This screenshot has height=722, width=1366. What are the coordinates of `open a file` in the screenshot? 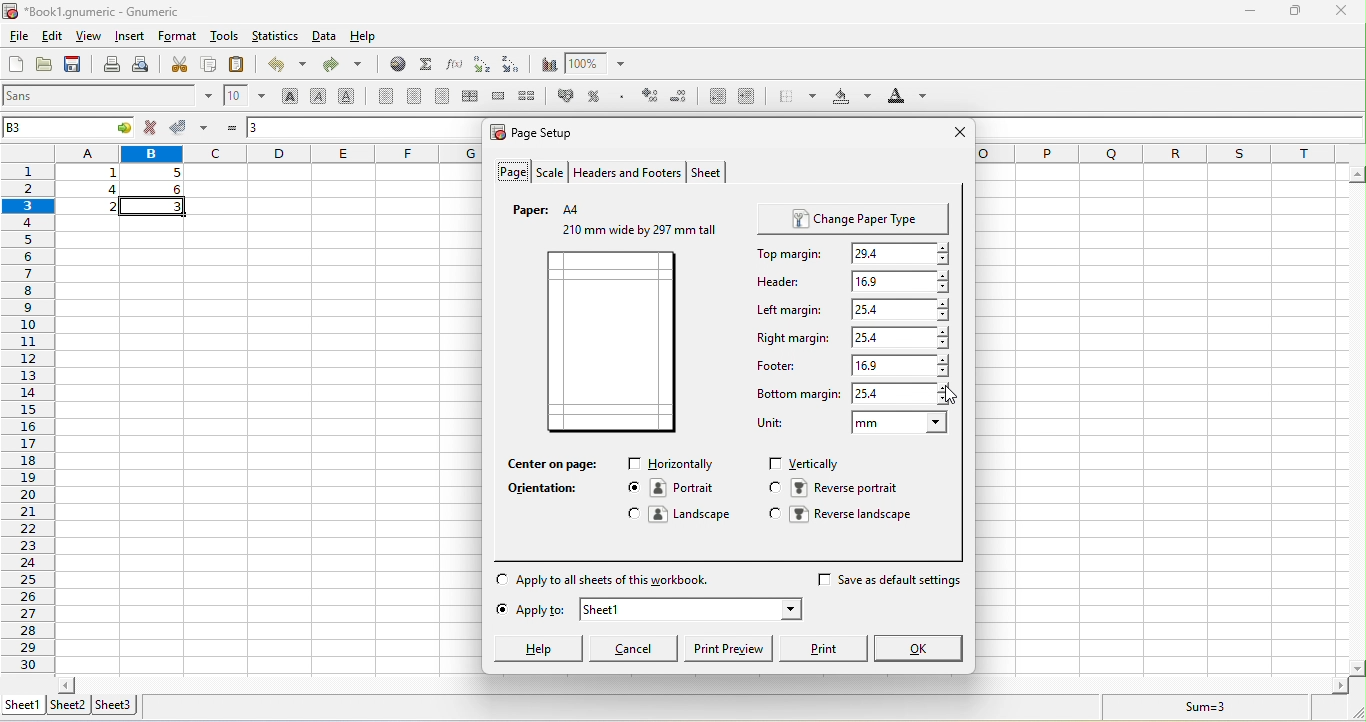 It's located at (46, 66).